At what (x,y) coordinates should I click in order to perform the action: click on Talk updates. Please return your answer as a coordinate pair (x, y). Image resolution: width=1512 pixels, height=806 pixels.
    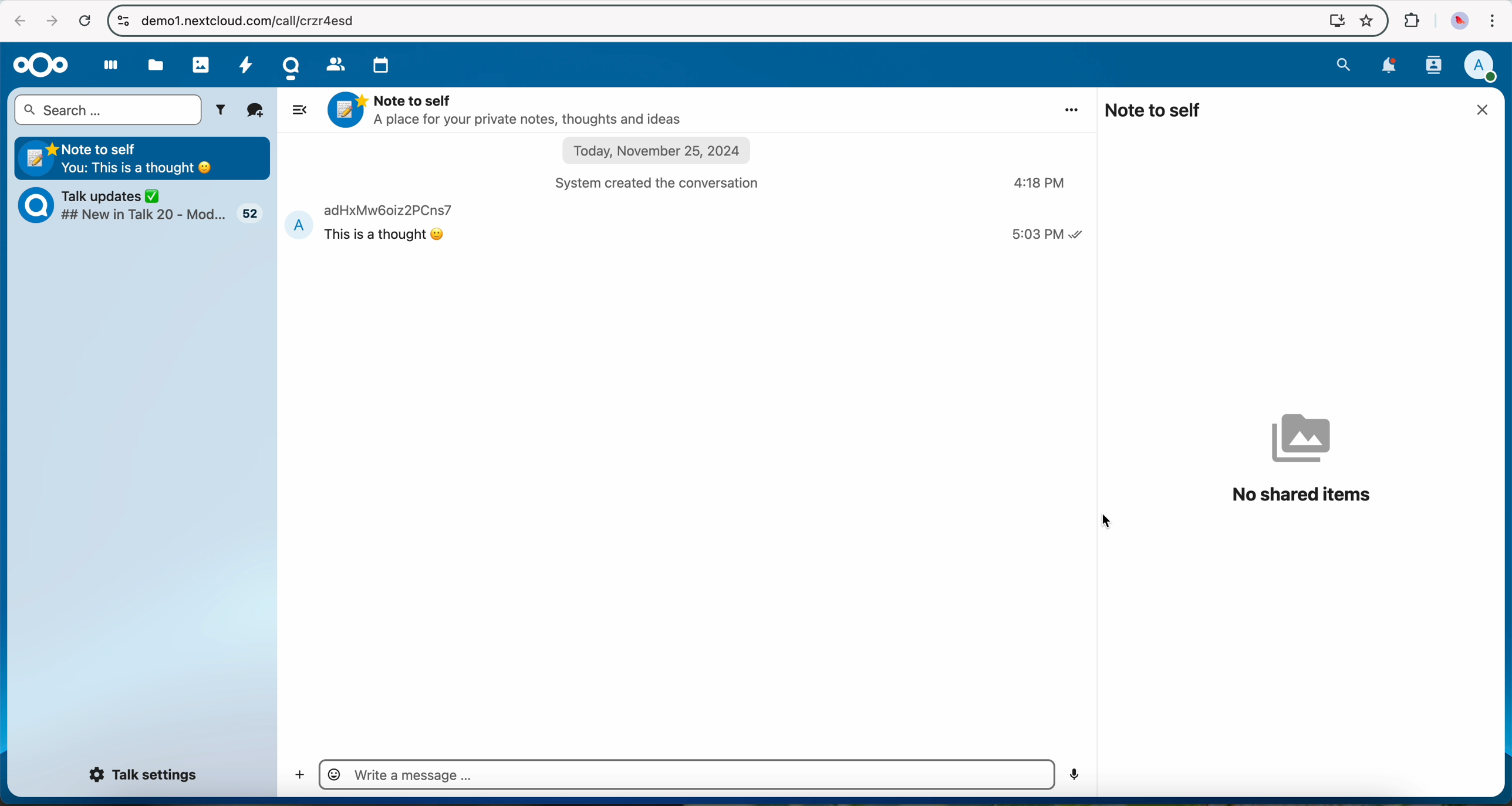
    Looking at the image, I should click on (148, 208).